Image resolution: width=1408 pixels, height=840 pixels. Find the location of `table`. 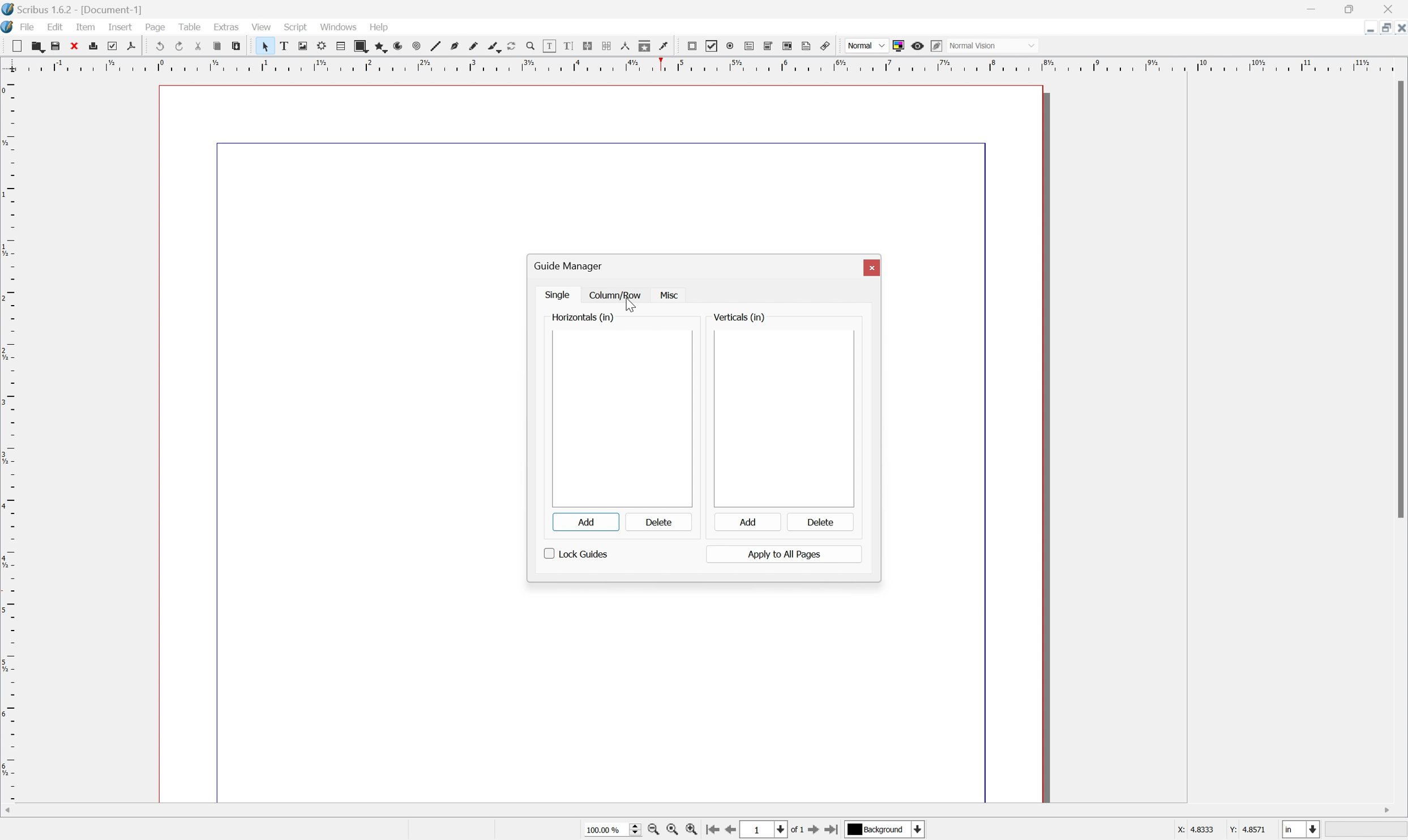

table is located at coordinates (341, 47).